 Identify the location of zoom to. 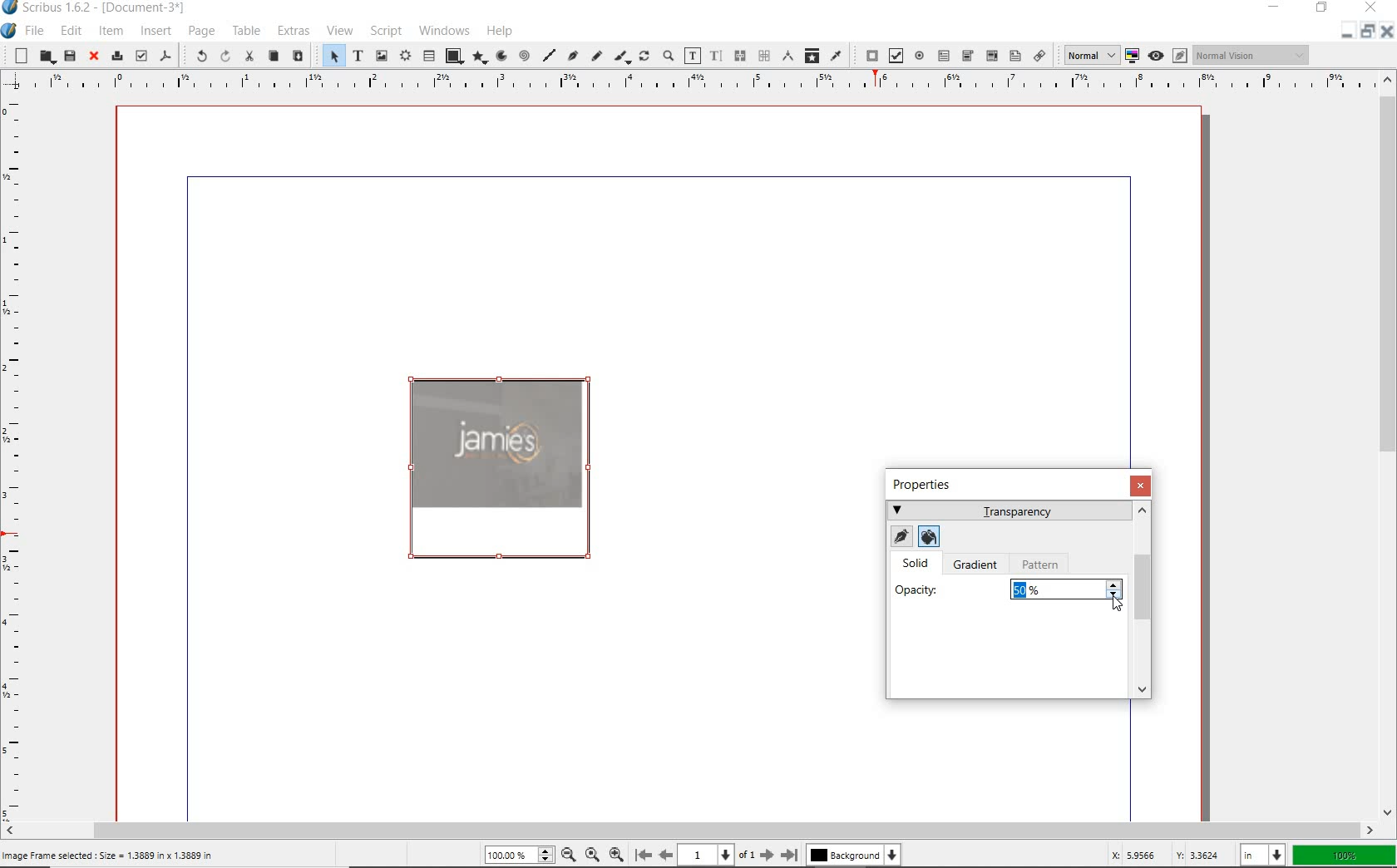
(593, 856).